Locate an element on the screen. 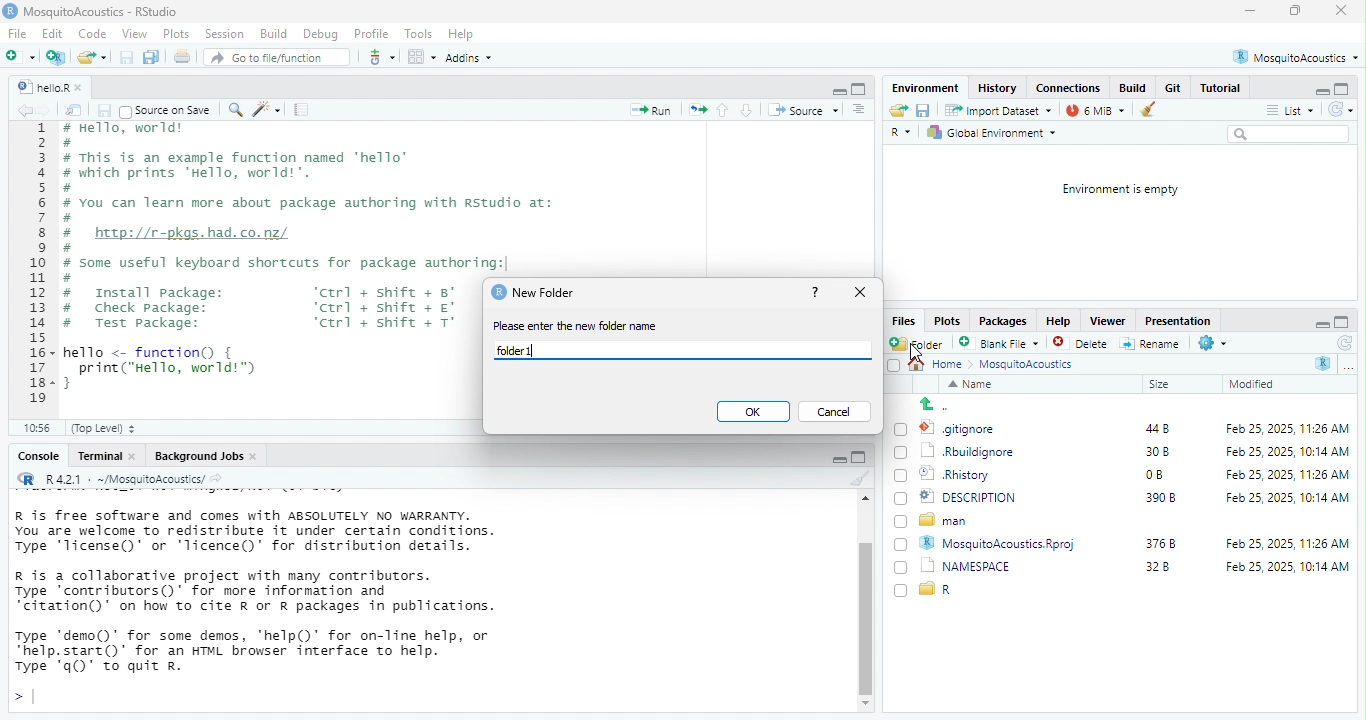  New Folder is located at coordinates (550, 294).